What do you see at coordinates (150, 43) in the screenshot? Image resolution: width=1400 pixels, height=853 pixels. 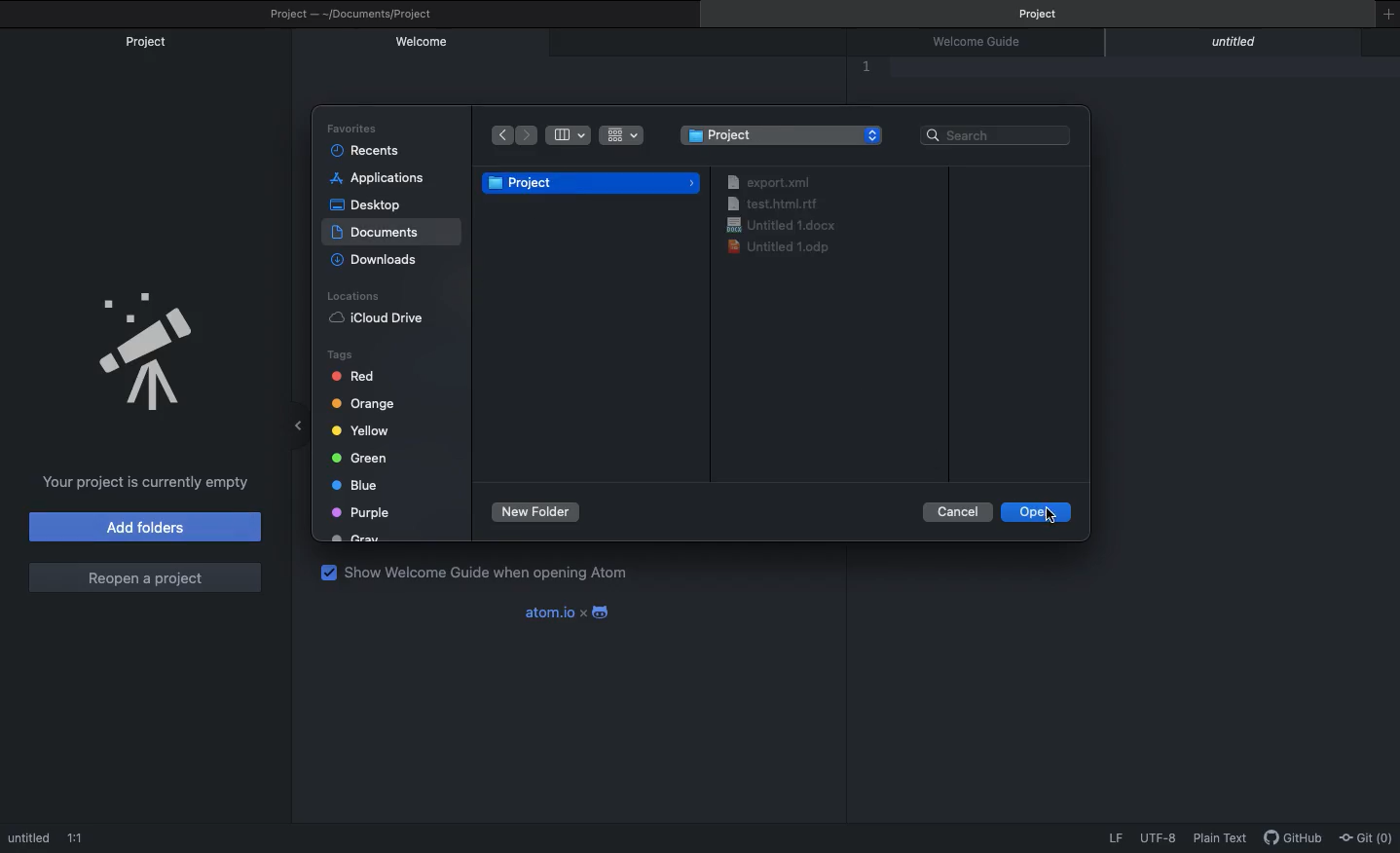 I see `Project` at bounding box center [150, 43].